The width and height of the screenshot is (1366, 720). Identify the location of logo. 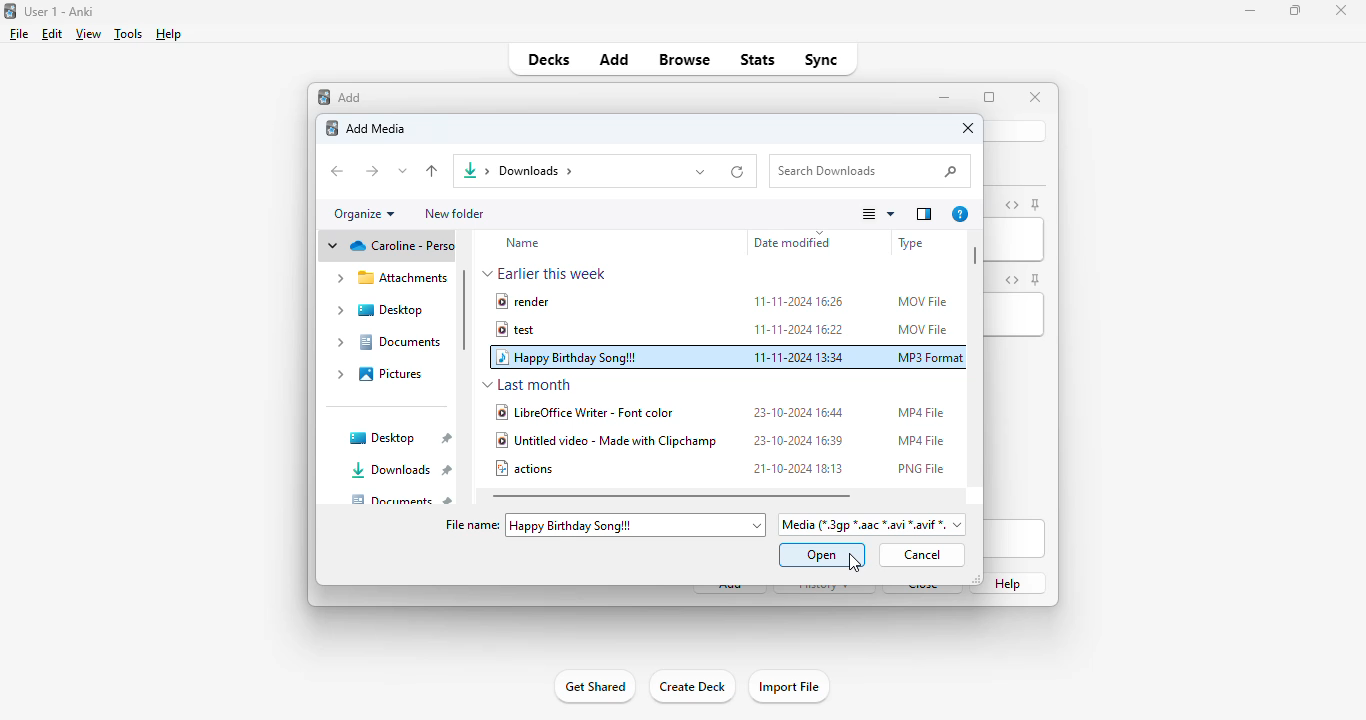
(333, 128).